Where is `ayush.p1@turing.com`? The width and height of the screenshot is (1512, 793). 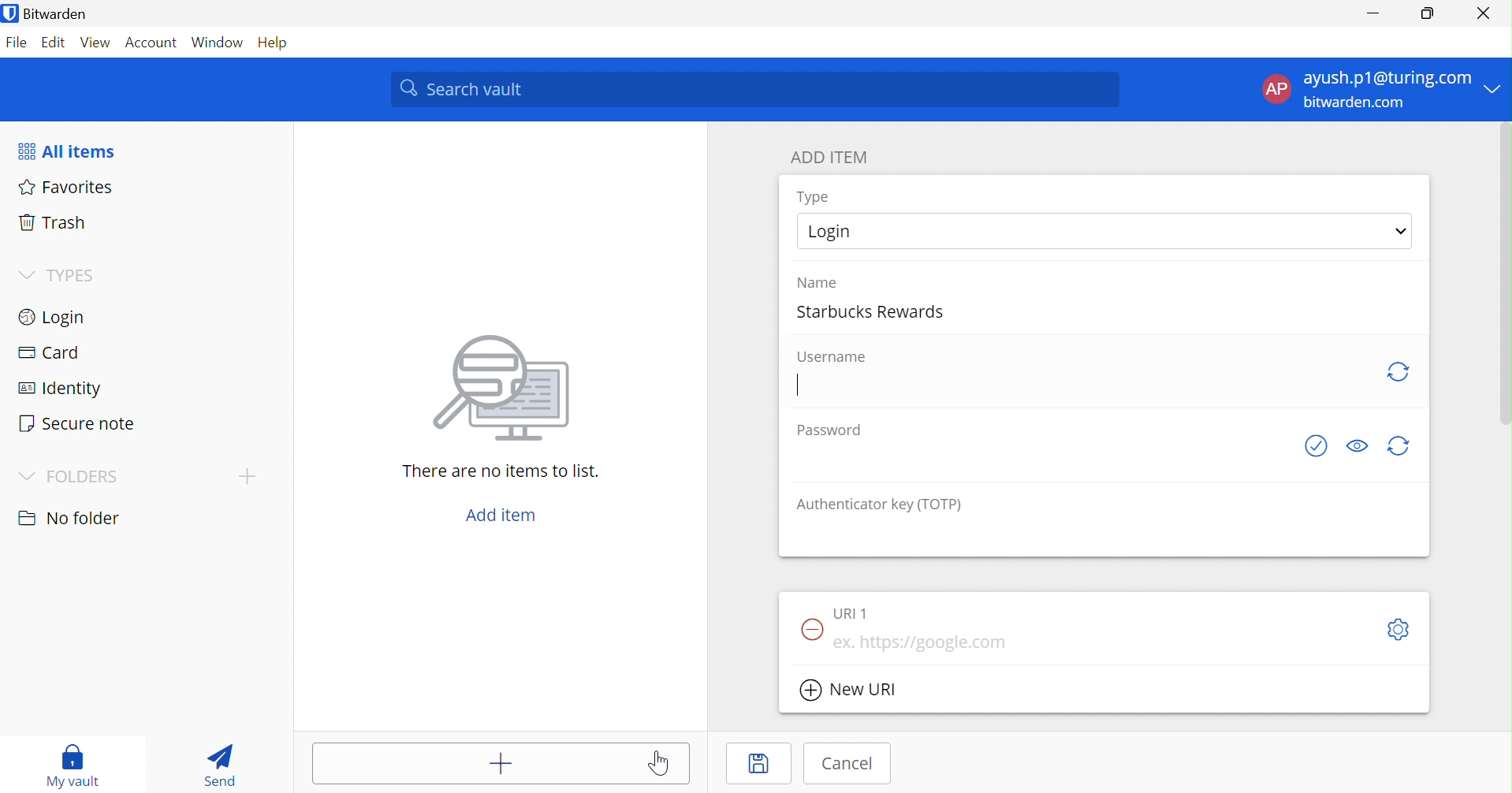 ayush.p1@turing.com is located at coordinates (1387, 77).